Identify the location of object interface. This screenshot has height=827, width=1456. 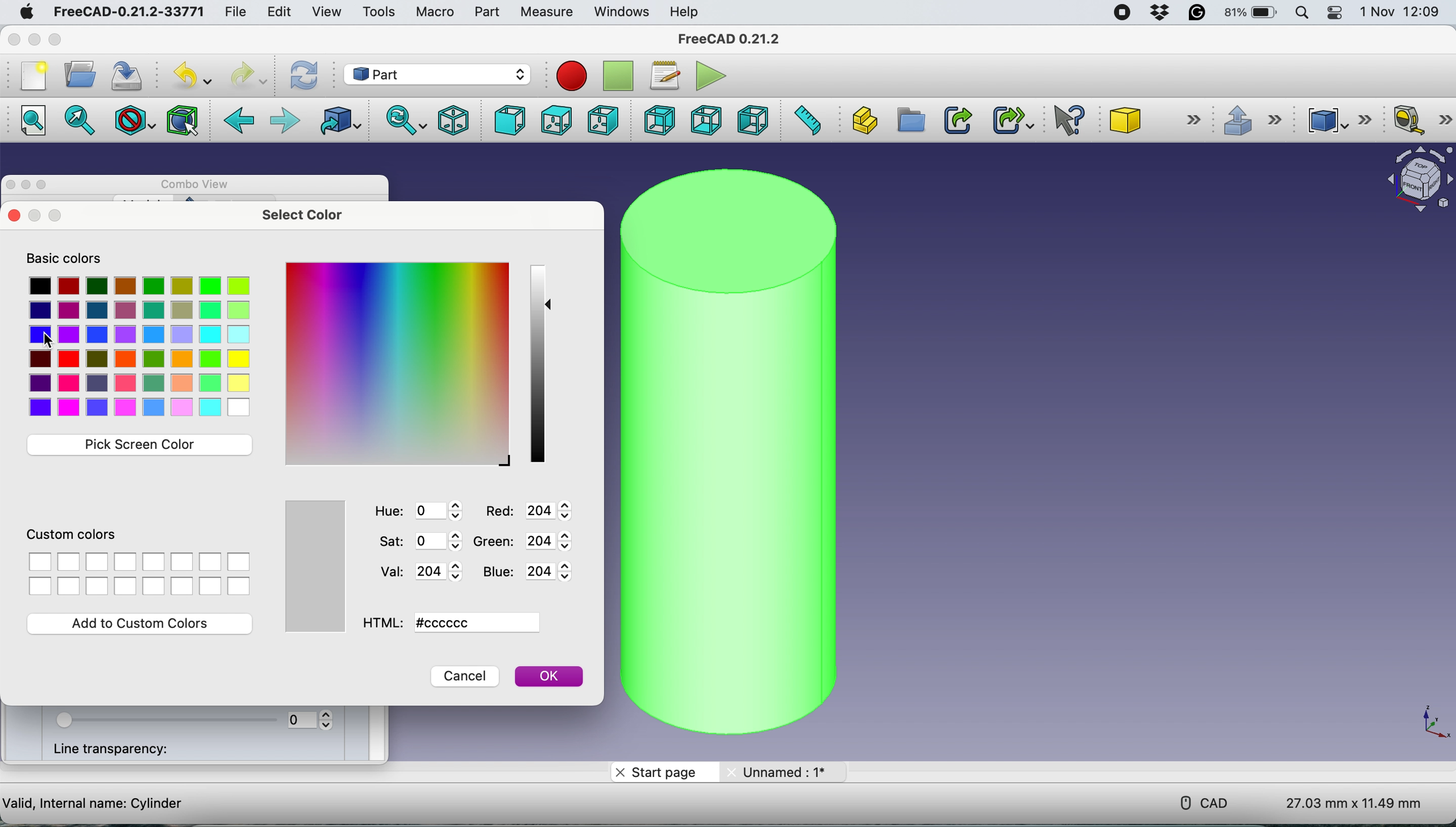
(1418, 179).